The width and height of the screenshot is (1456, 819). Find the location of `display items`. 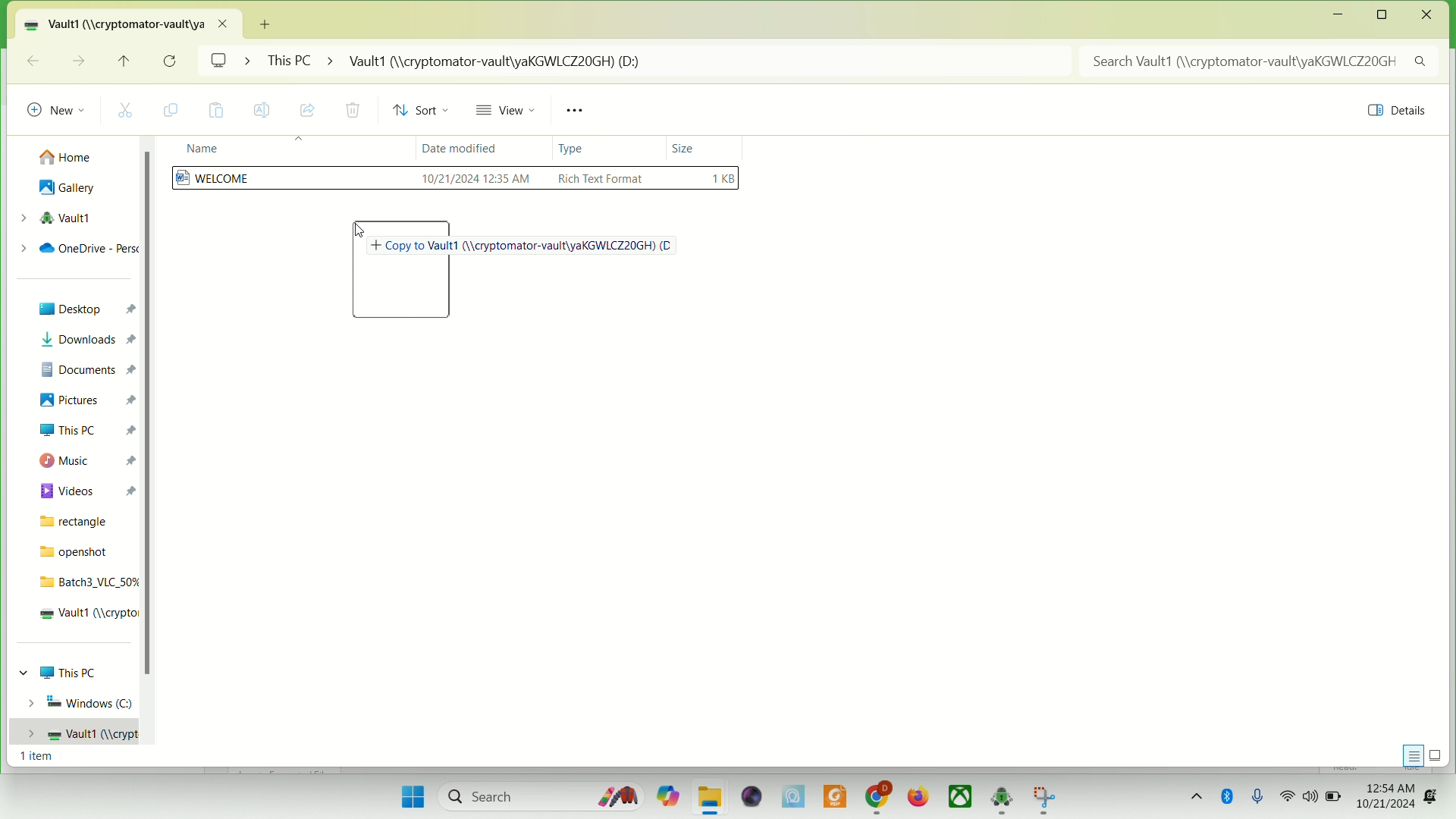

display items is located at coordinates (1439, 755).